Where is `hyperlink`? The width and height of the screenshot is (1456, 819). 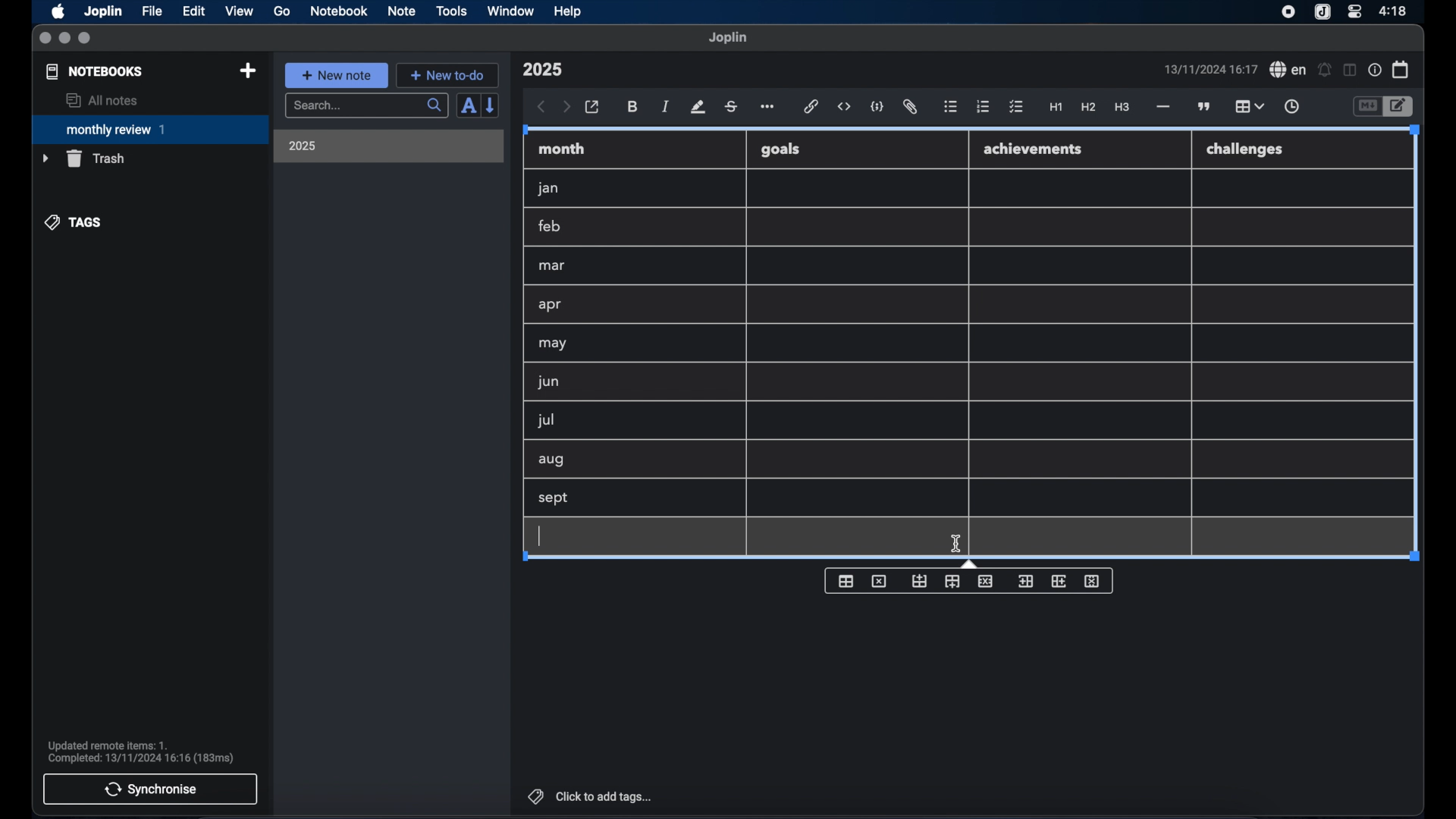
hyperlink is located at coordinates (811, 106).